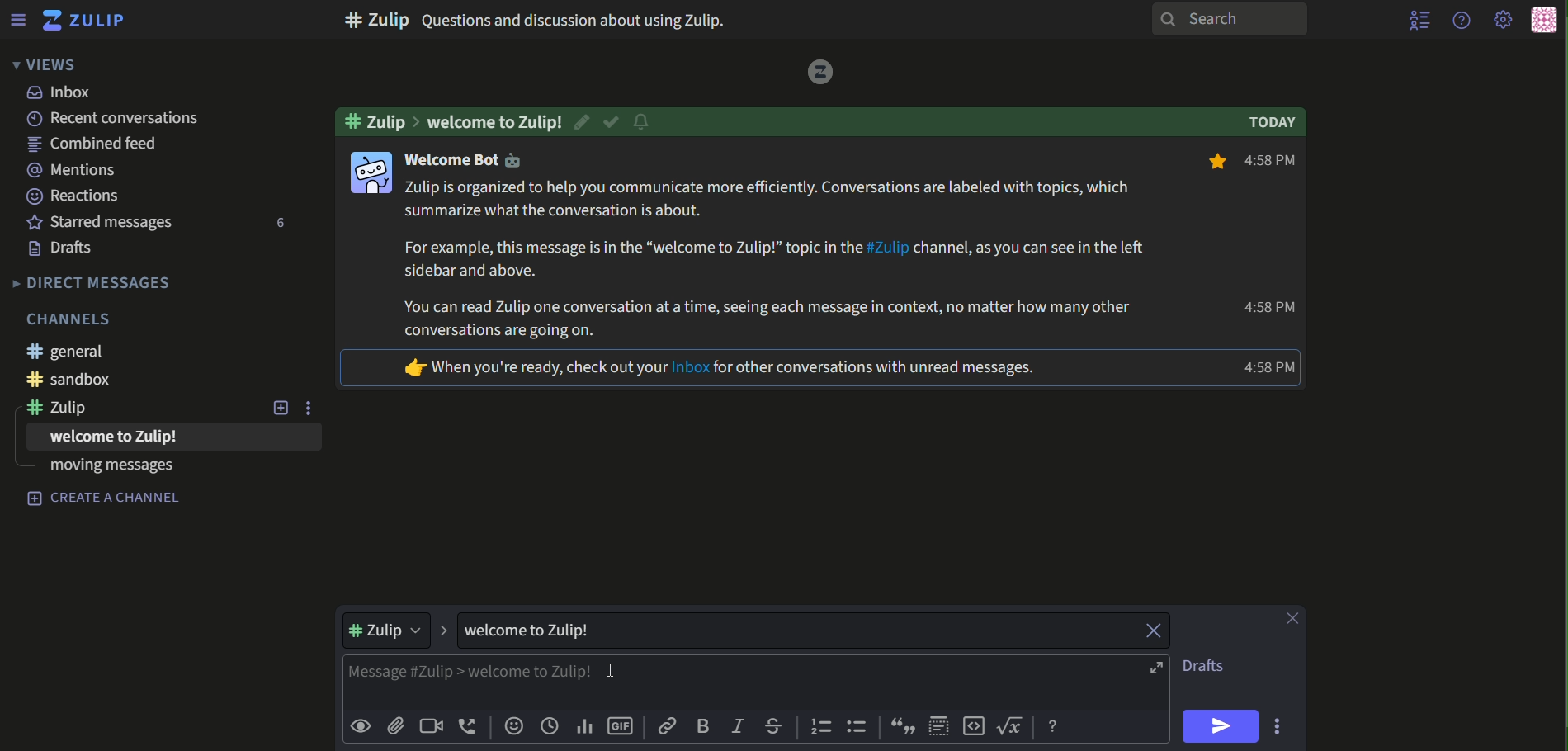 The image size is (1568, 751). What do you see at coordinates (74, 171) in the screenshot?
I see `text` at bounding box center [74, 171].